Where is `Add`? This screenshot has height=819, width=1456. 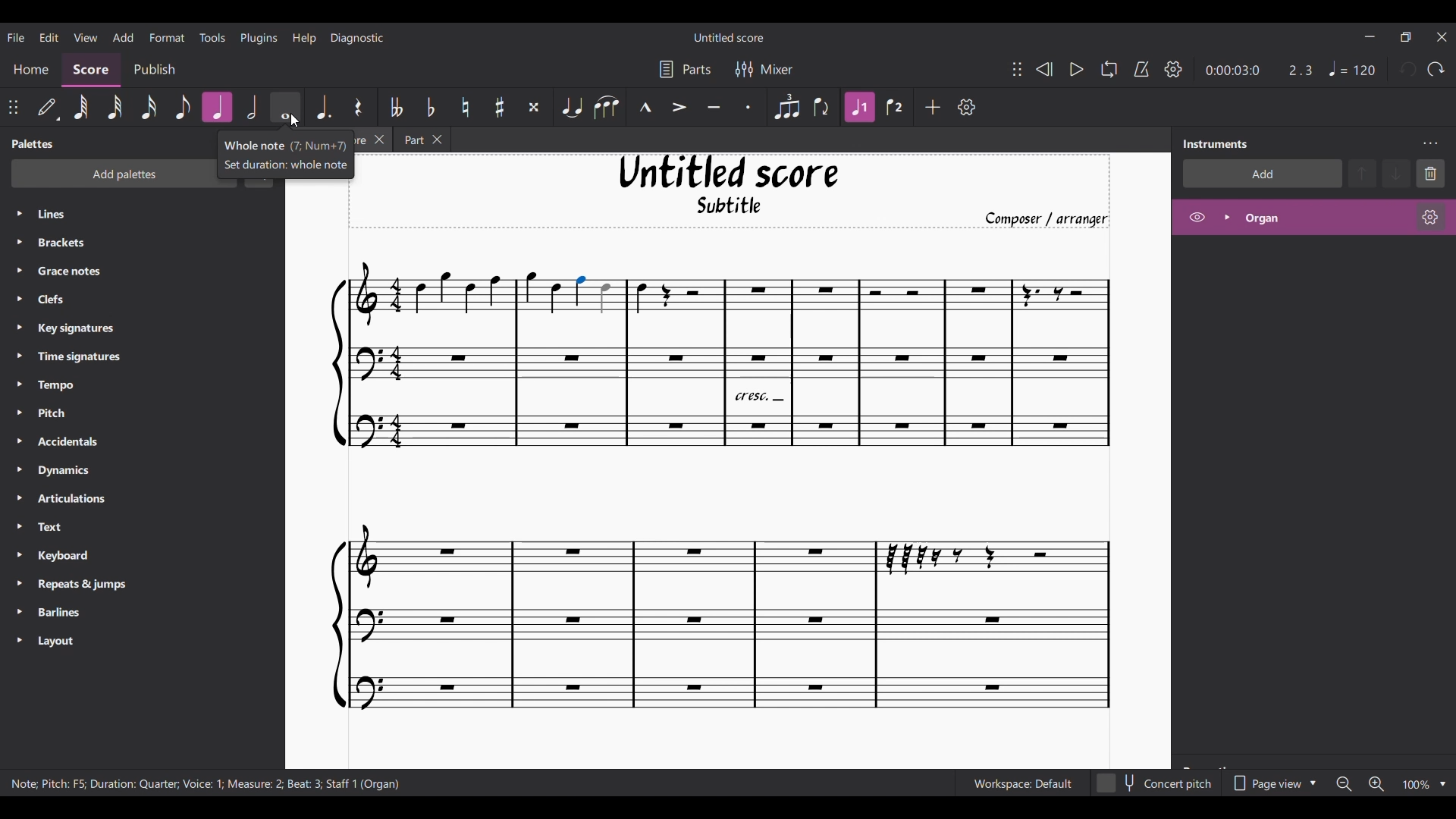
Add is located at coordinates (933, 107).